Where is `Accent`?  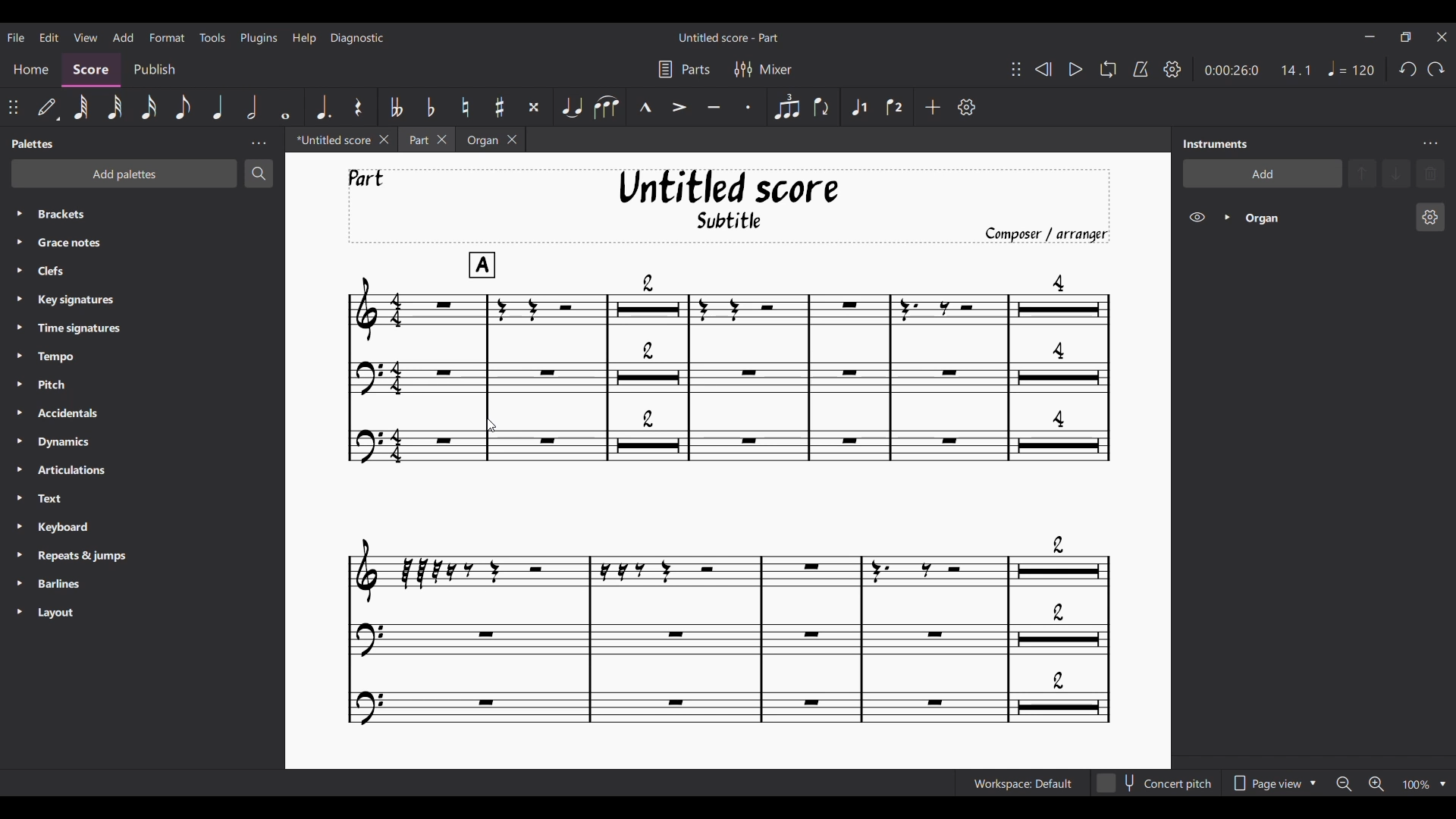 Accent is located at coordinates (679, 107).